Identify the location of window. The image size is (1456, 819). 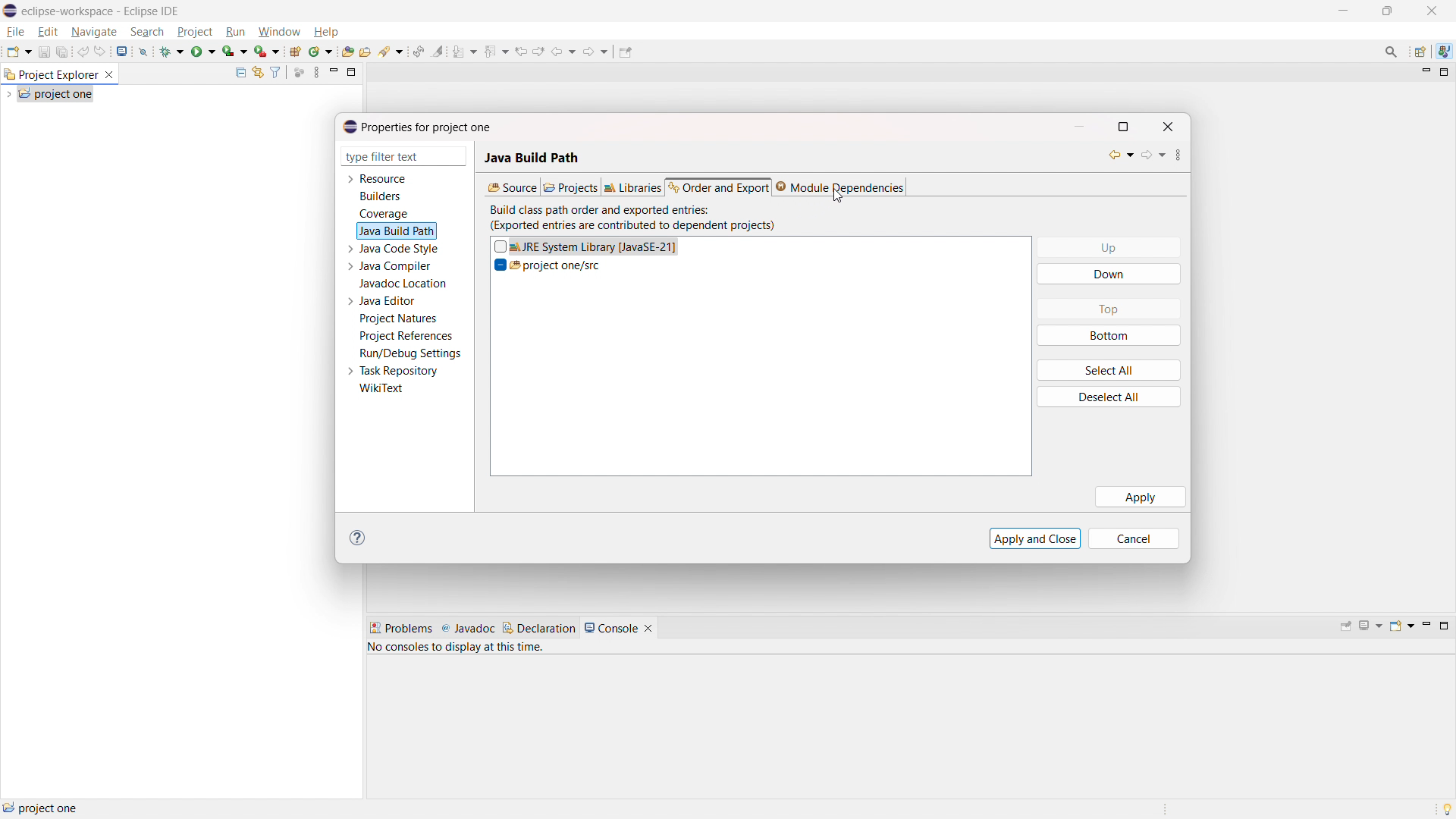
(278, 33).